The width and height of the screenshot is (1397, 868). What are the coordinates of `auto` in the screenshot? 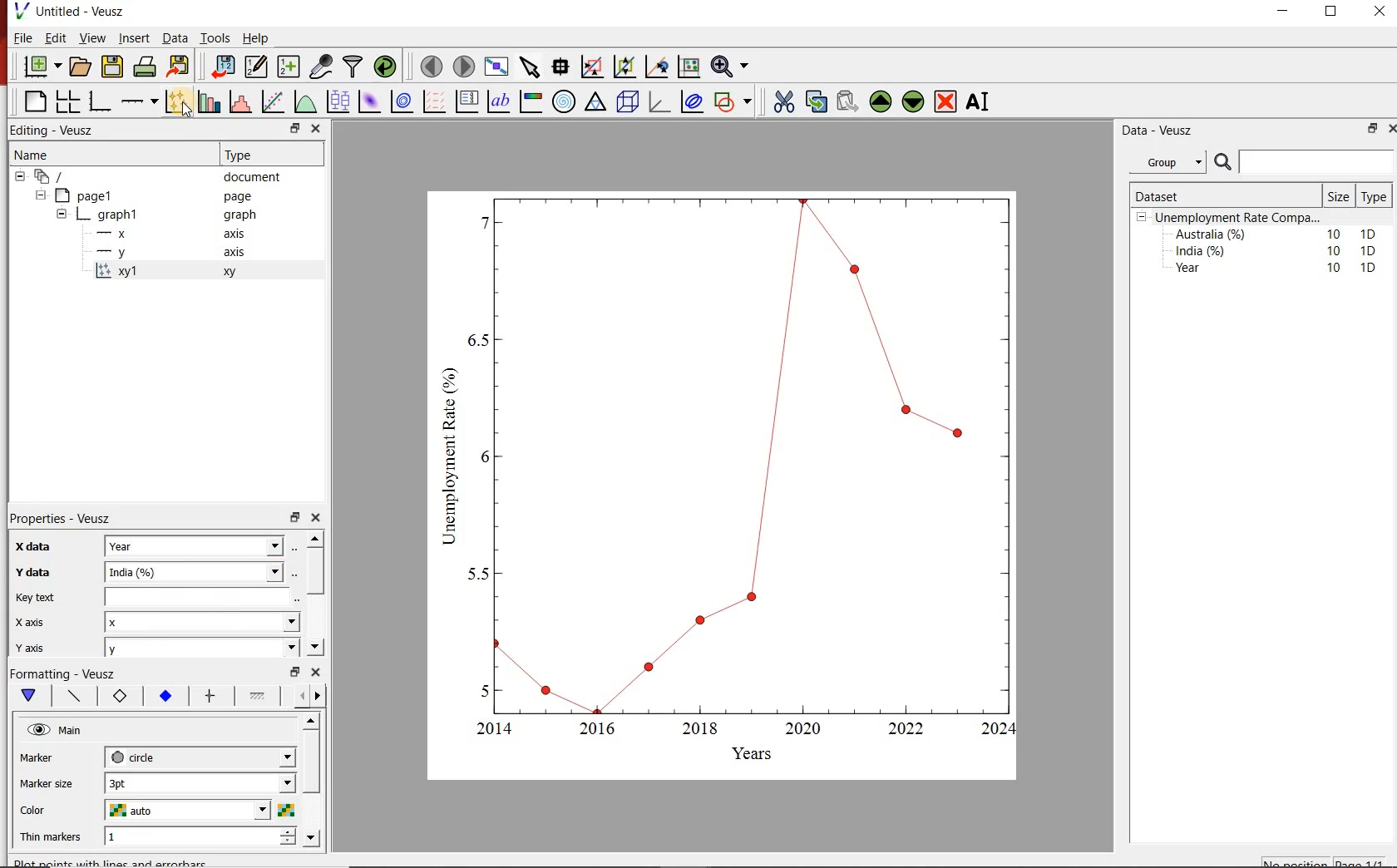 It's located at (190, 811).